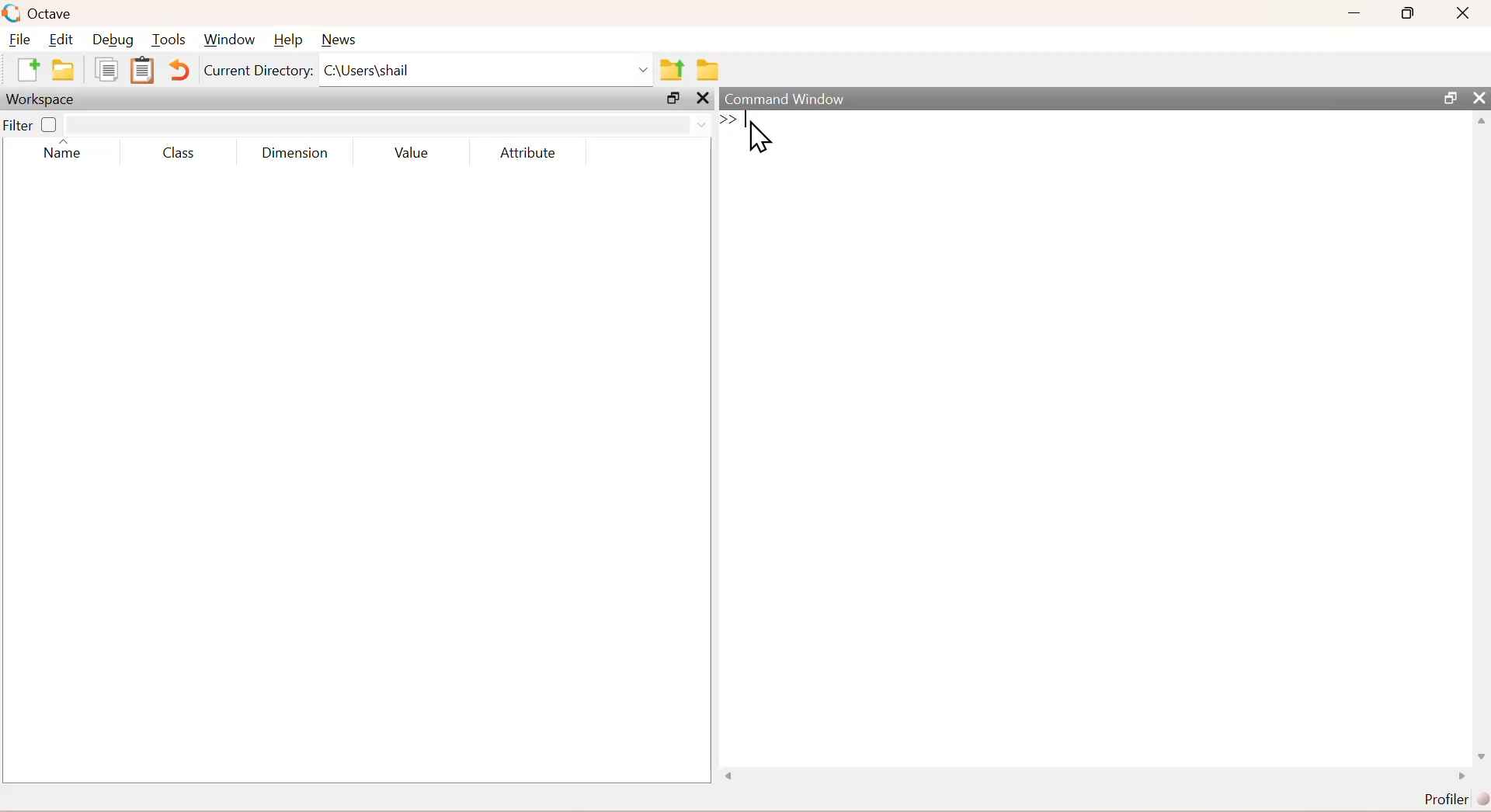  What do you see at coordinates (1465, 15) in the screenshot?
I see `Close` at bounding box center [1465, 15].